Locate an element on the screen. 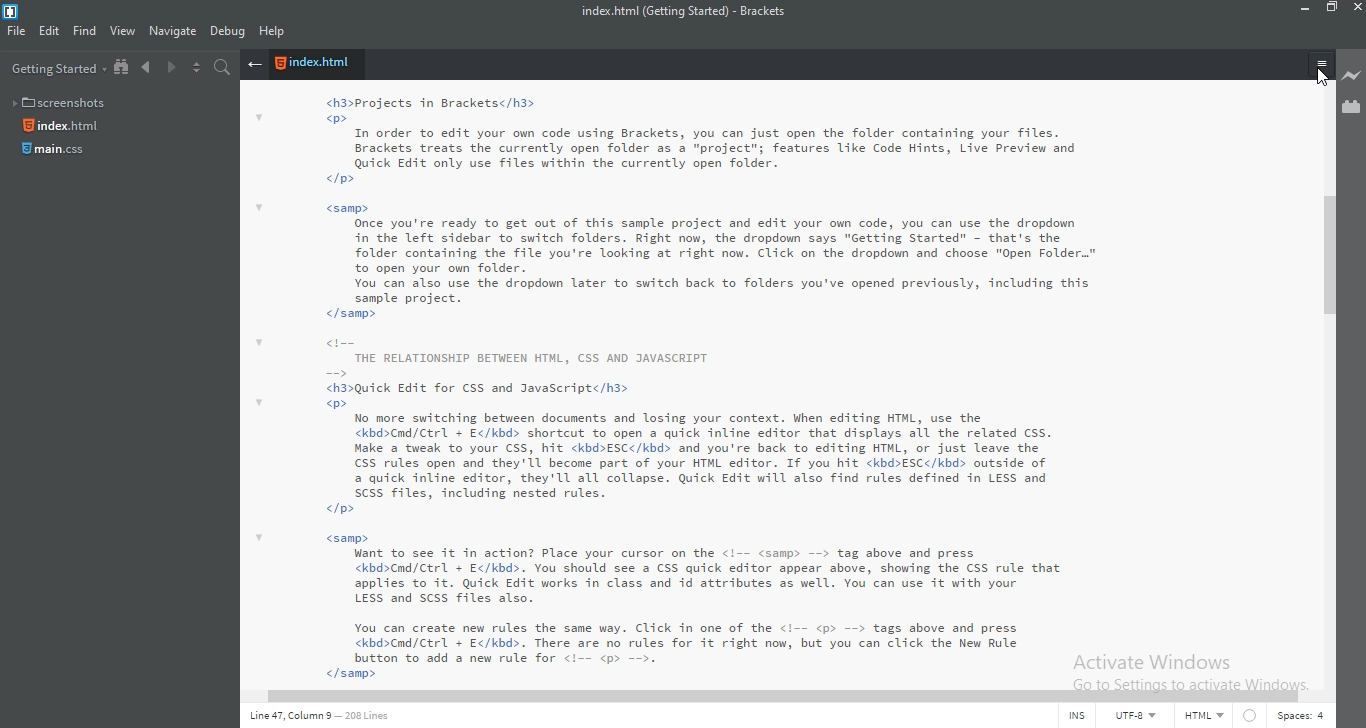 The image size is (1366, 728). scroll bar is located at coordinates (1332, 255).